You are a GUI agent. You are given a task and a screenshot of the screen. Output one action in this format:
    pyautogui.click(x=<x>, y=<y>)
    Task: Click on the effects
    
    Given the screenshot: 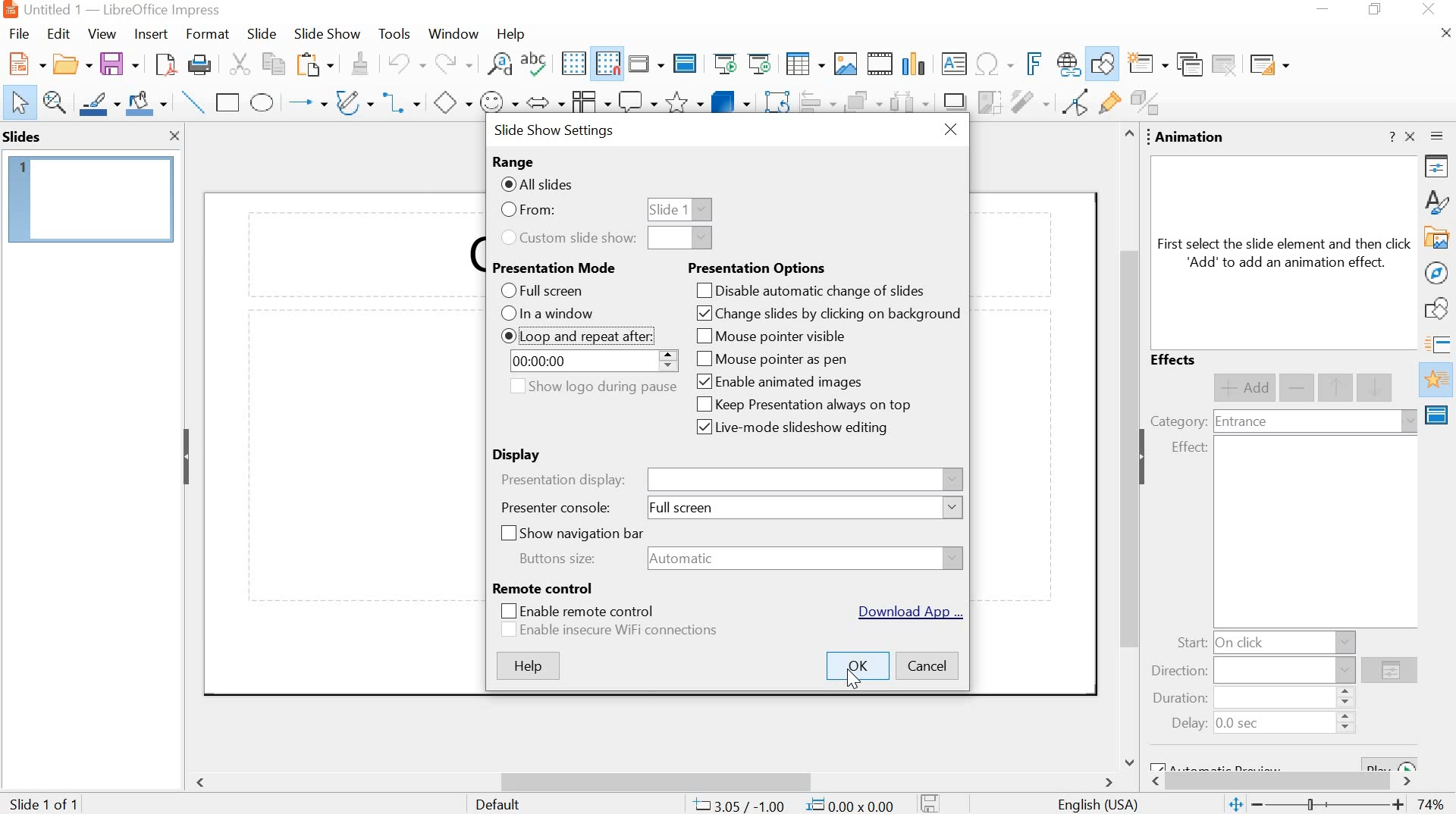 What is the action you would take?
    pyautogui.click(x=1175, y=361)
    